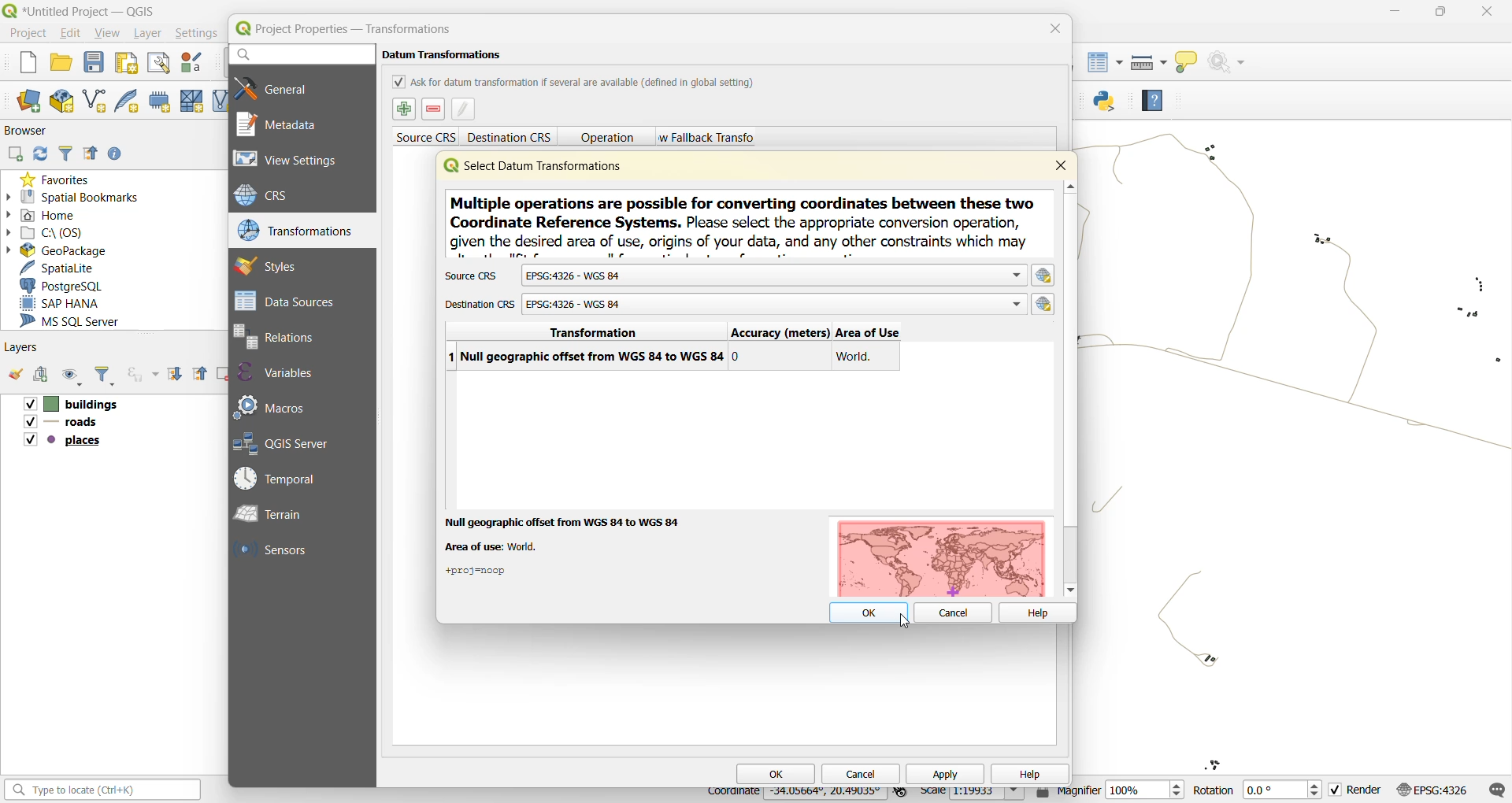  What do you see at coordinates (61, 99) in the screenshot?
I see `new geopackage` at bounding box center [61, 99].